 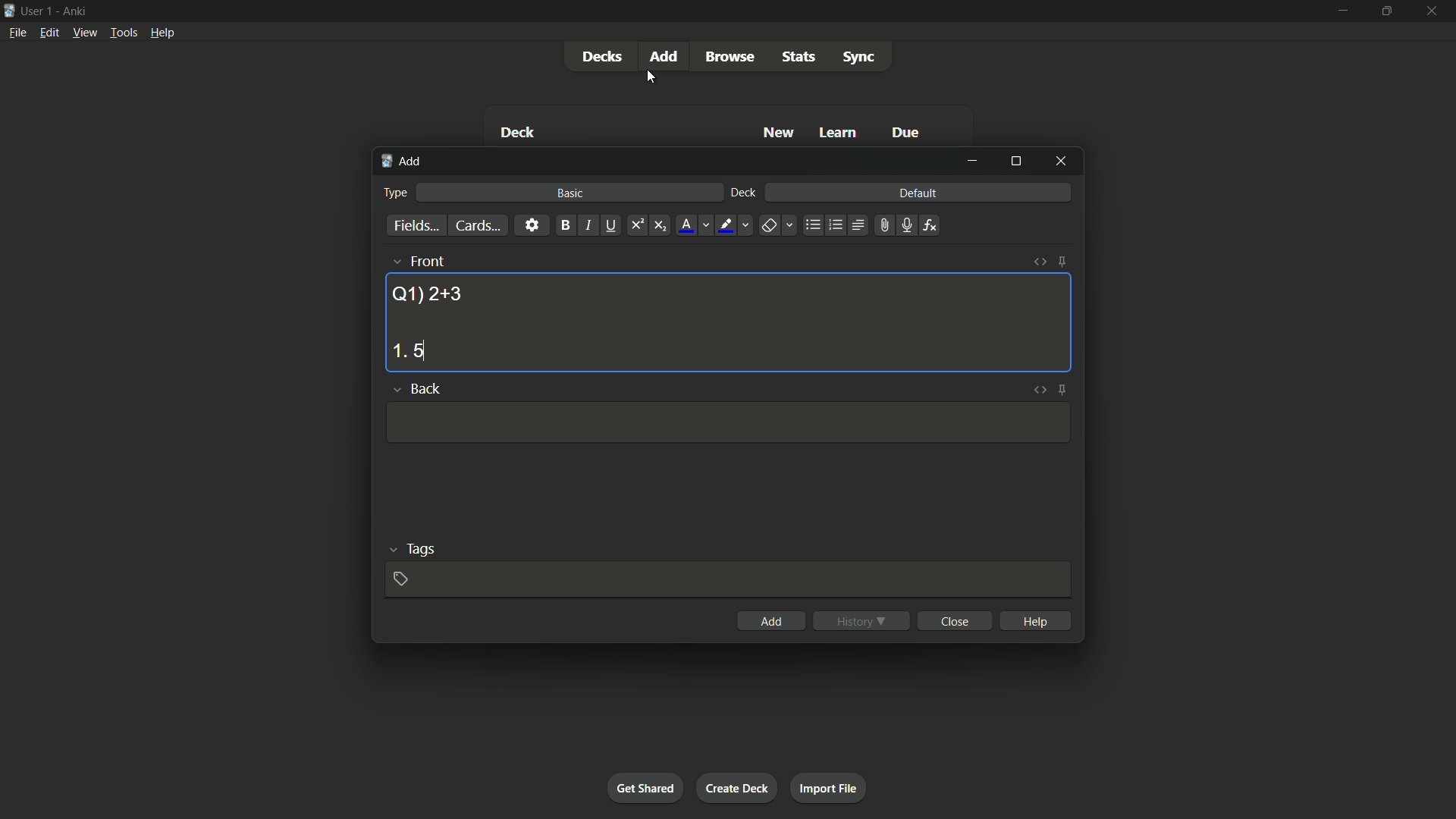 What do you see at coordinates (772, 621) in the screenshot?
I see `add` at bounding box center [772, 621].